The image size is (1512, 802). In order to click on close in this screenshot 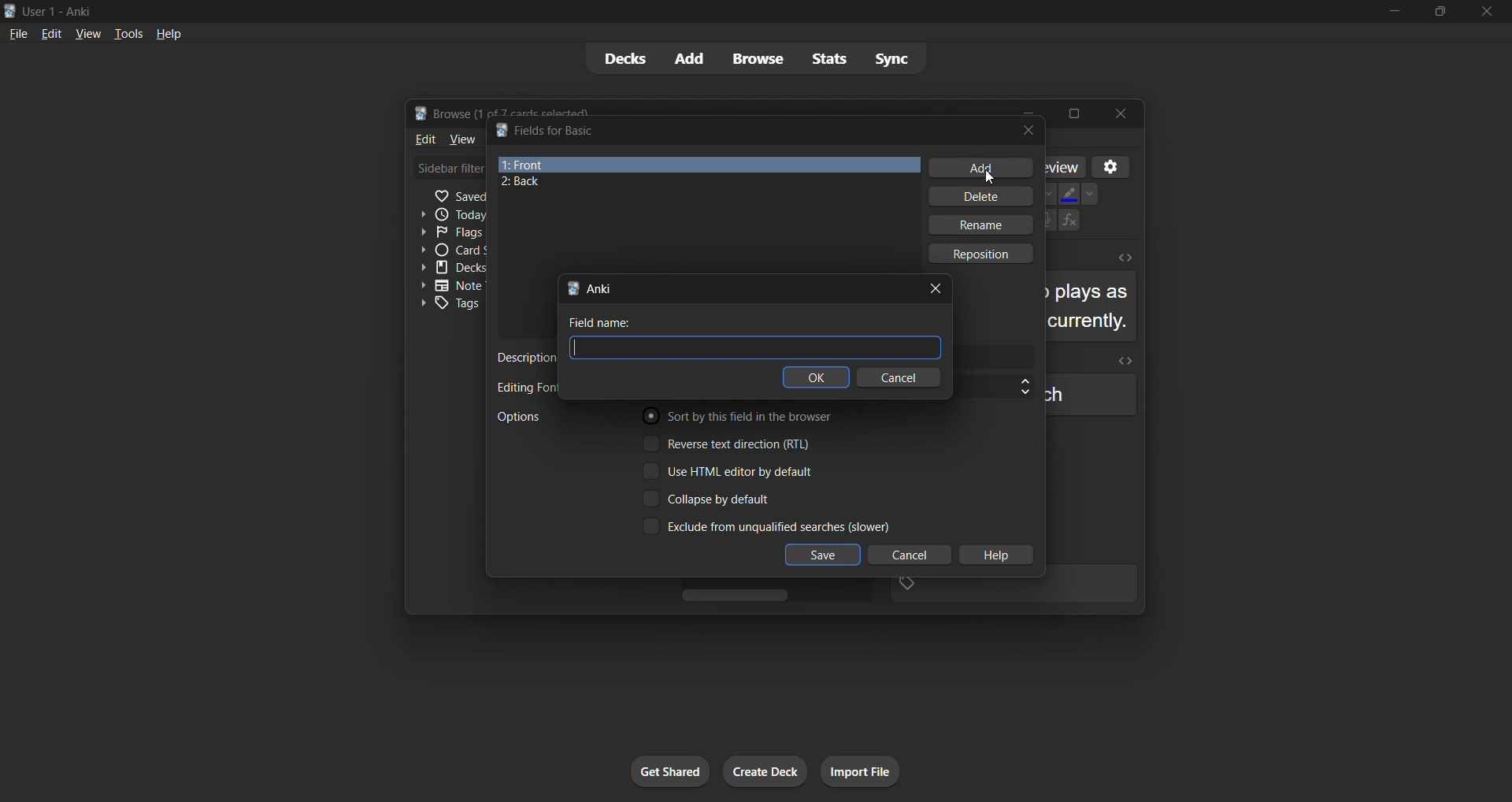, I will do `click(1026, 130)`.